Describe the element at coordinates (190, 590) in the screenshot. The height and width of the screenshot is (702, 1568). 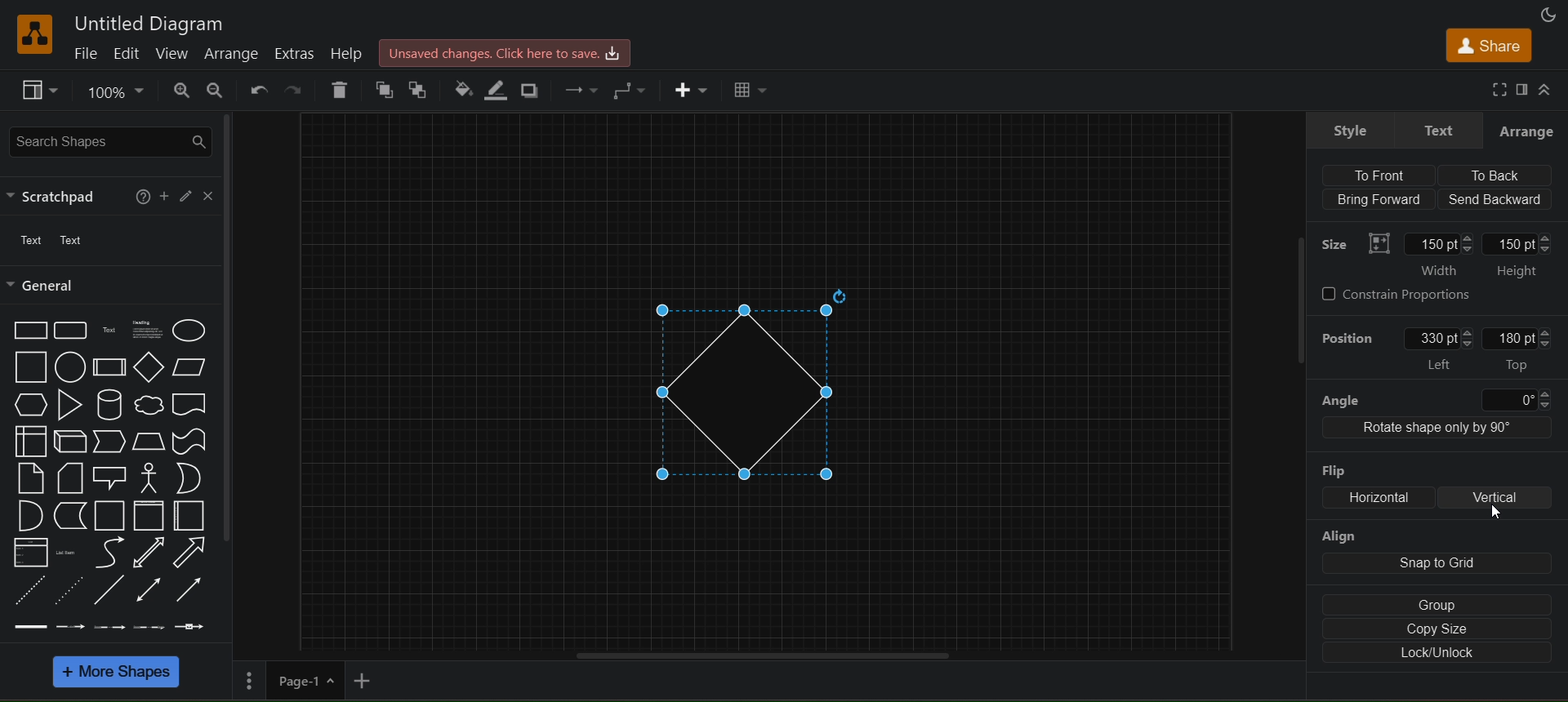
I see `directional connector` at that location.